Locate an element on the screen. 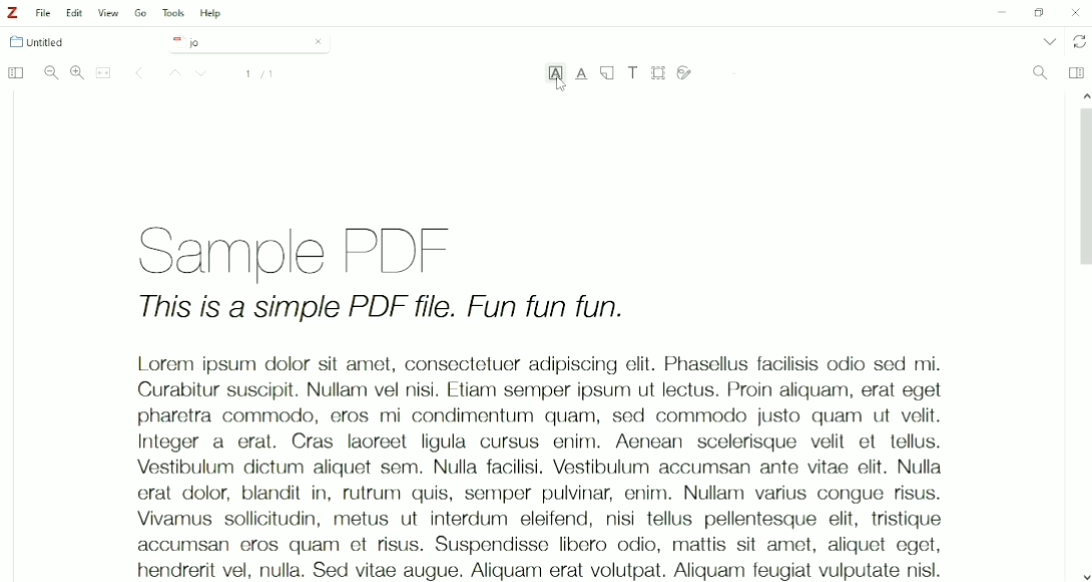 The width and height of the screenshot is (1092, 582). List all tabs is located at coordinates (1048, 41).